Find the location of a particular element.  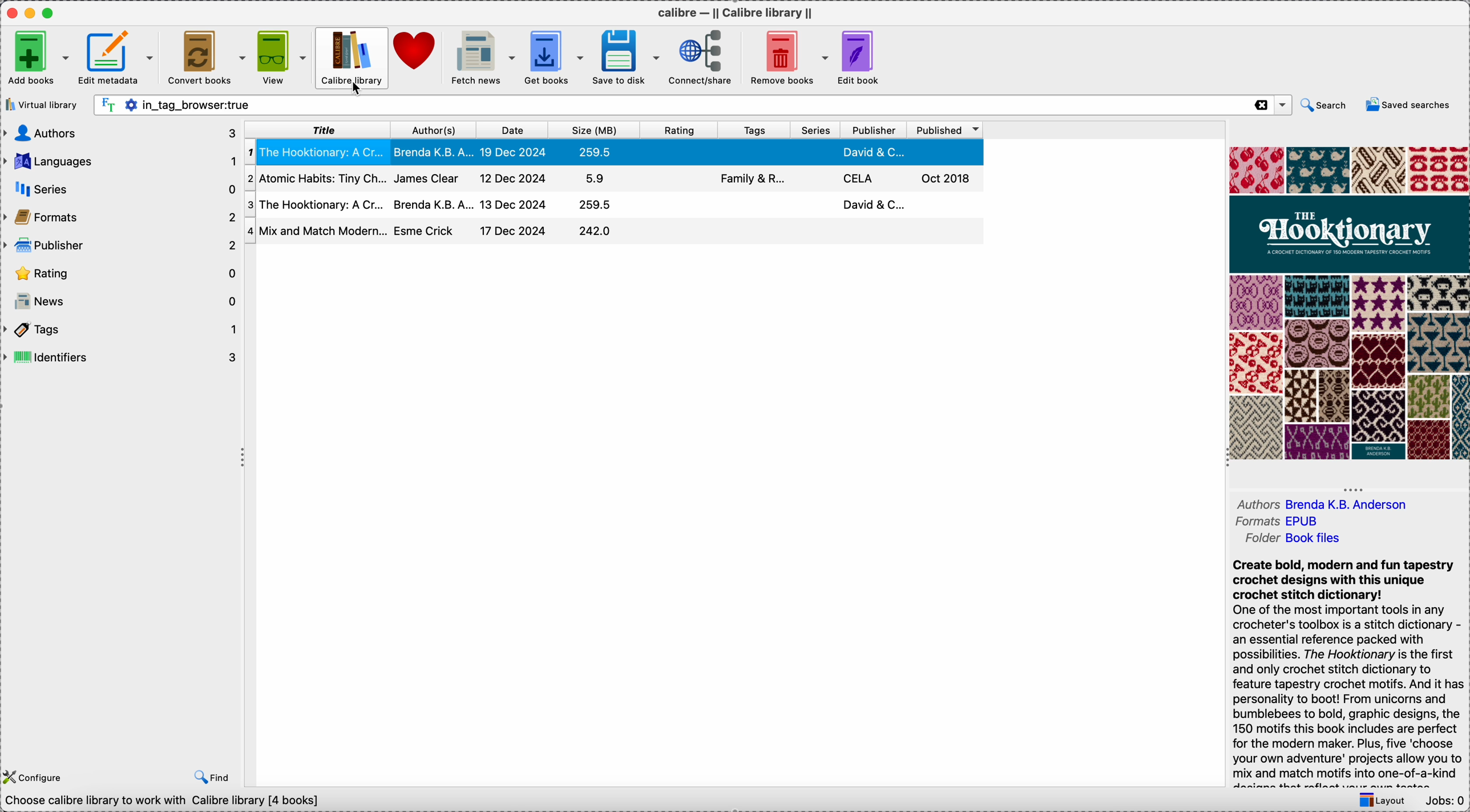

rating is located at coordinates (681, 130).